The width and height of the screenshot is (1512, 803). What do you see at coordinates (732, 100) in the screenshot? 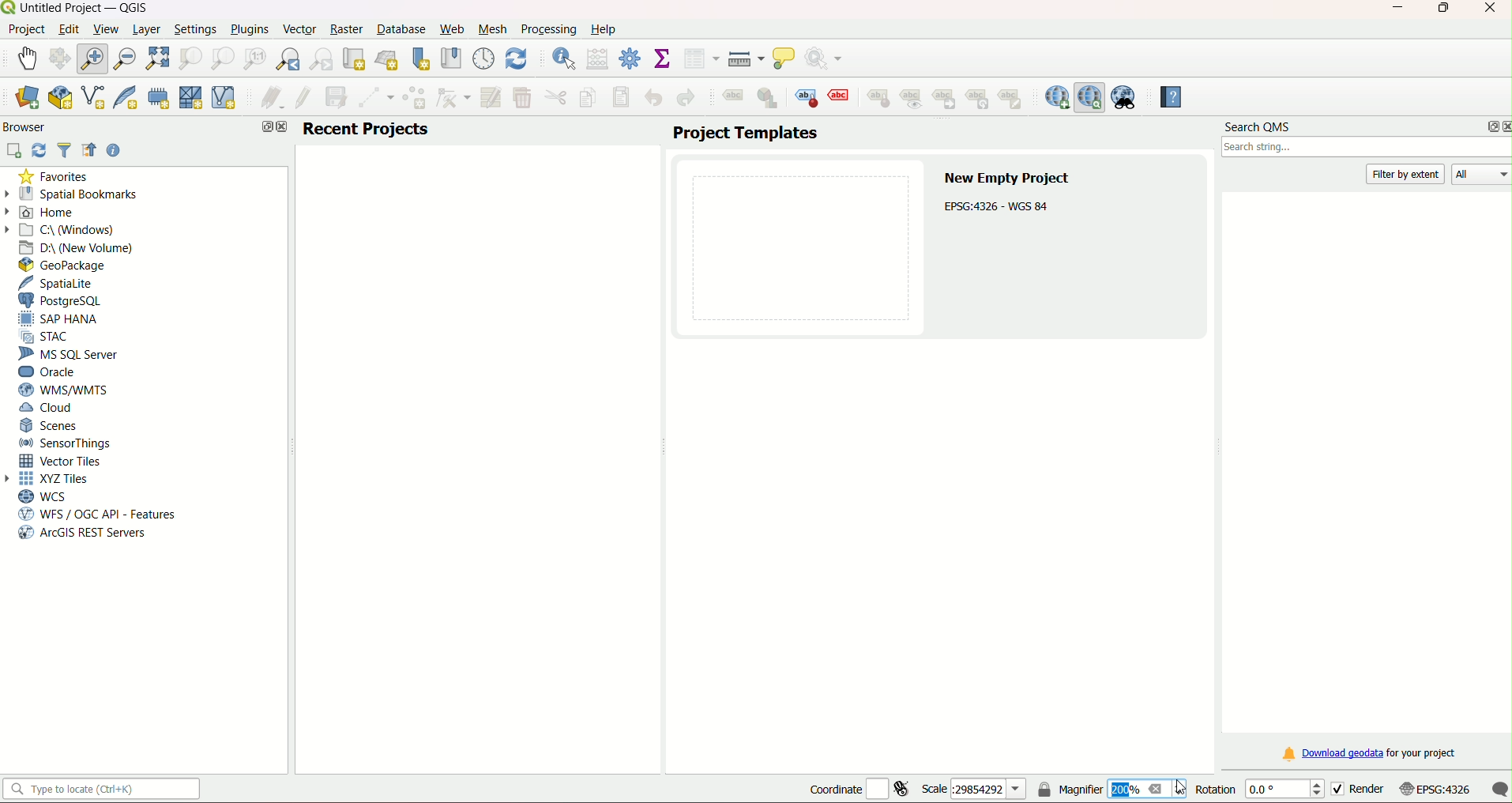
I see `layer labelling` at bounding box center [732, 100].